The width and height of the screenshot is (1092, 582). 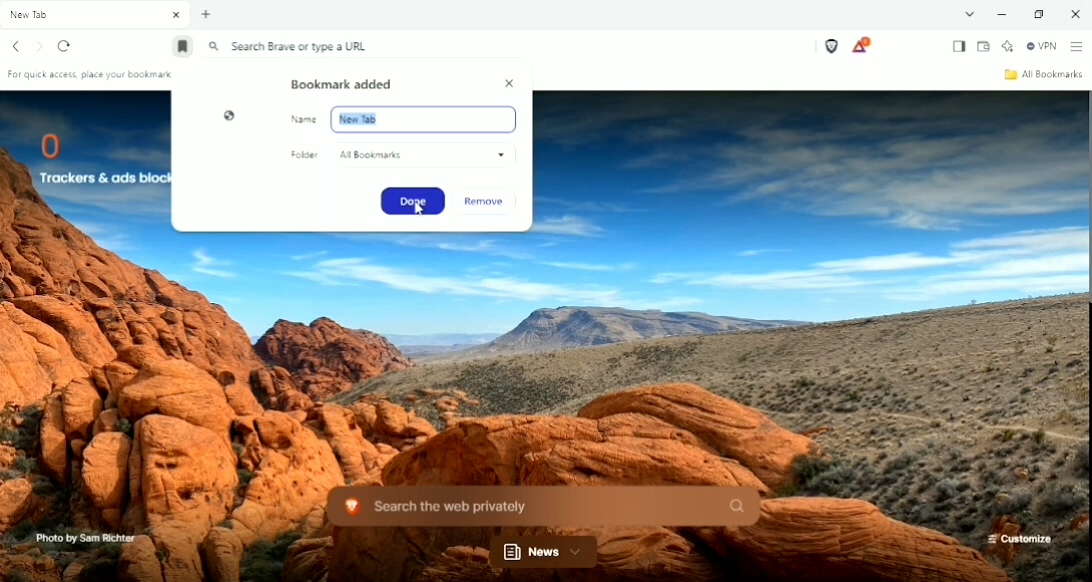 I want to click on Reload this page, so click(x=66, y=47).